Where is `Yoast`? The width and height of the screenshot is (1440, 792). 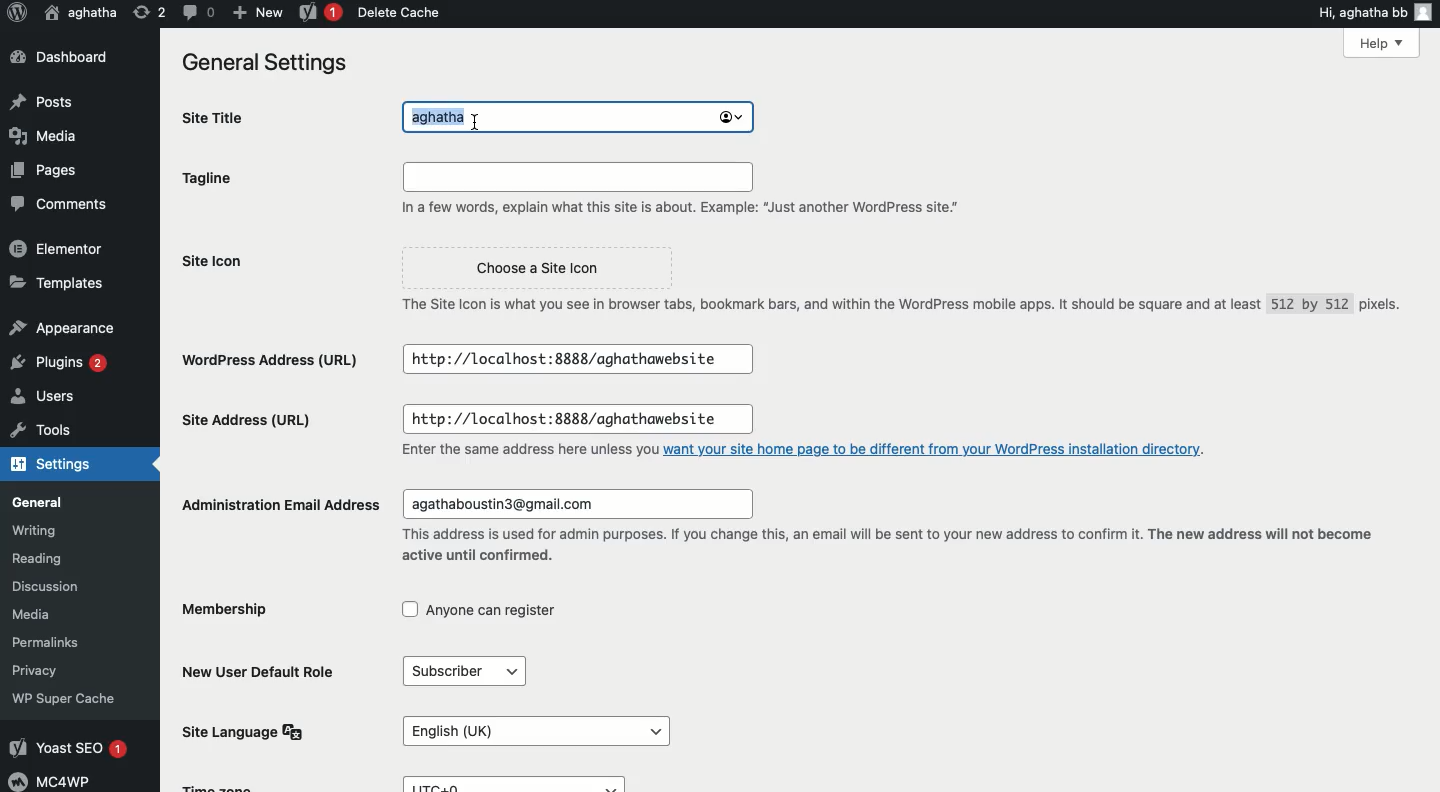
Yoast is located at coordinates (316, 13).